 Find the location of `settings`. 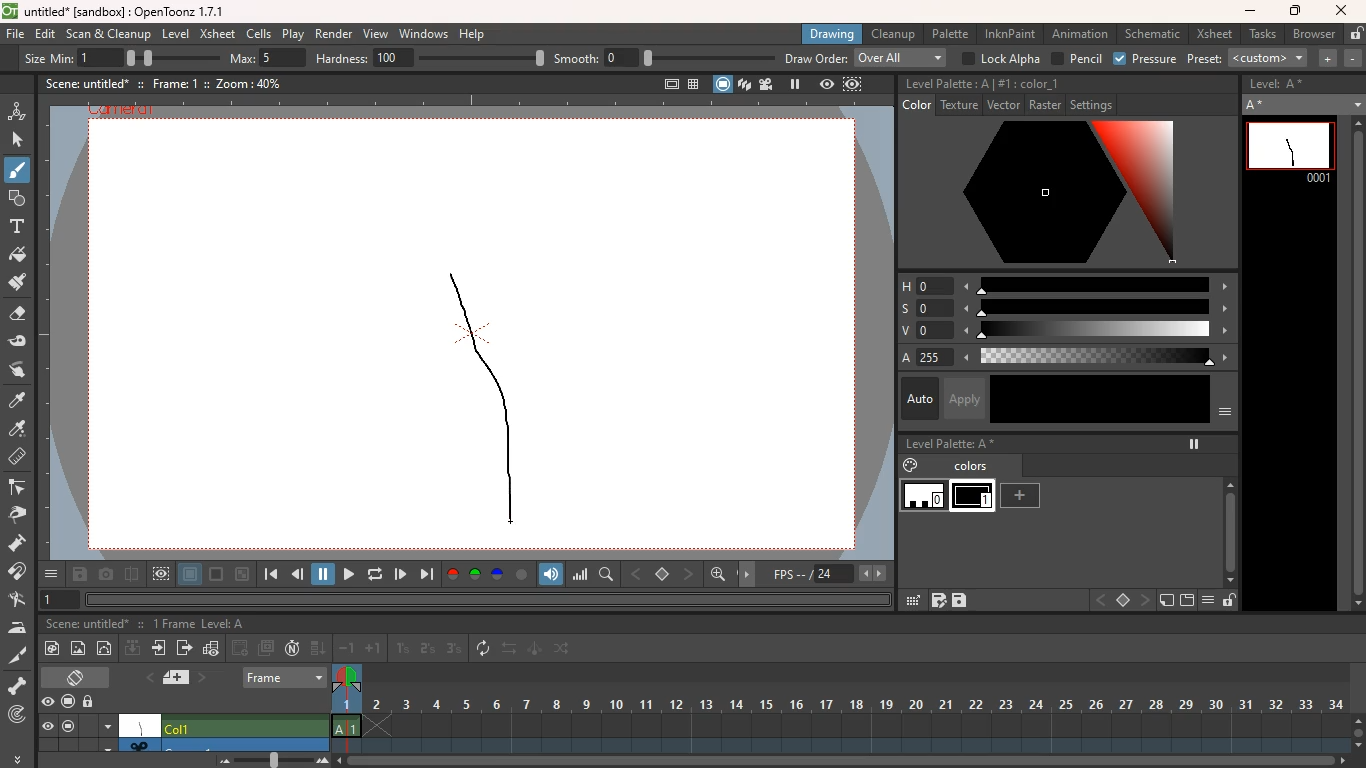

settings is located at coordinates (1095, 105).